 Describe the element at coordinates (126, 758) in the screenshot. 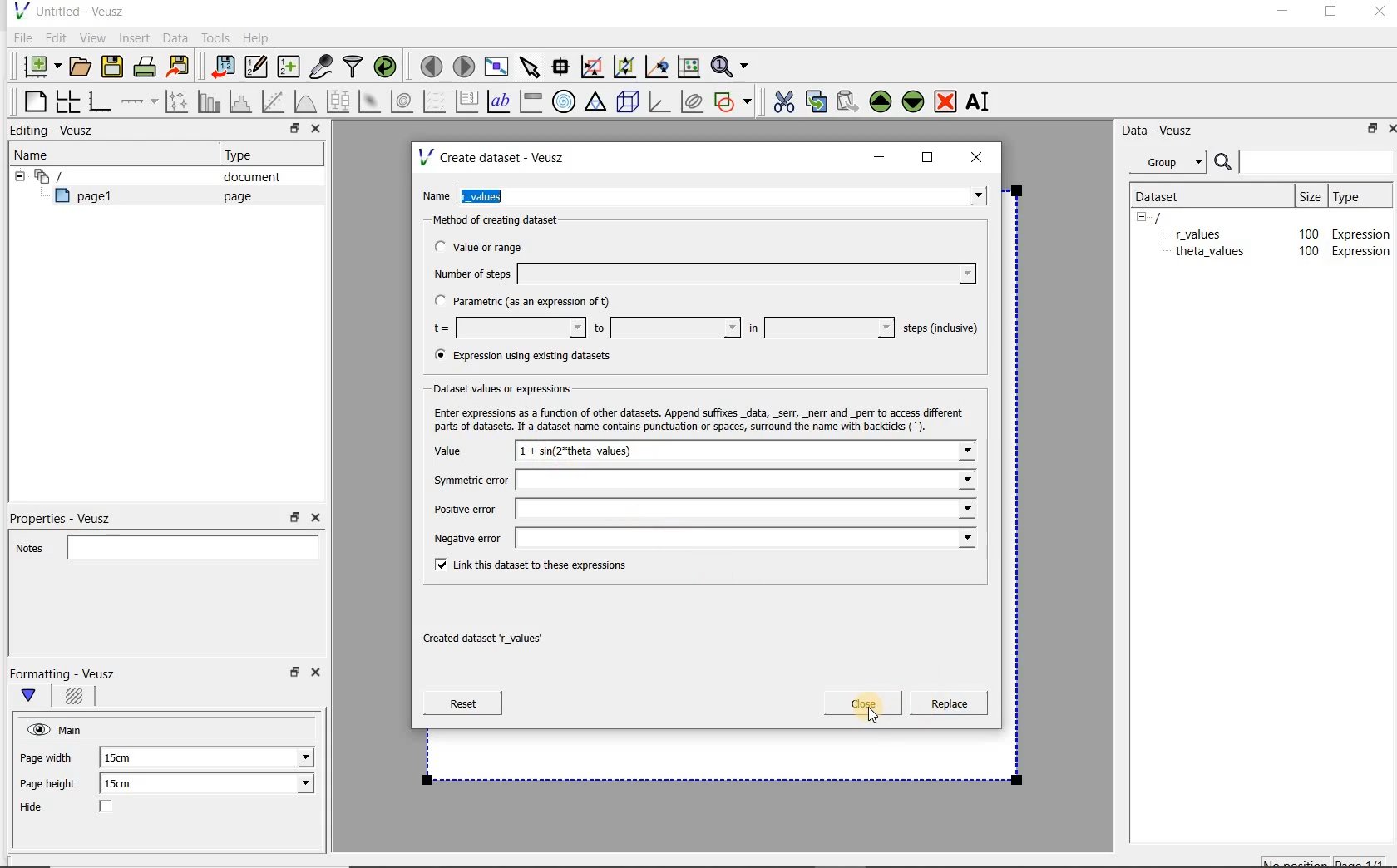

I see `15cm` at that location.